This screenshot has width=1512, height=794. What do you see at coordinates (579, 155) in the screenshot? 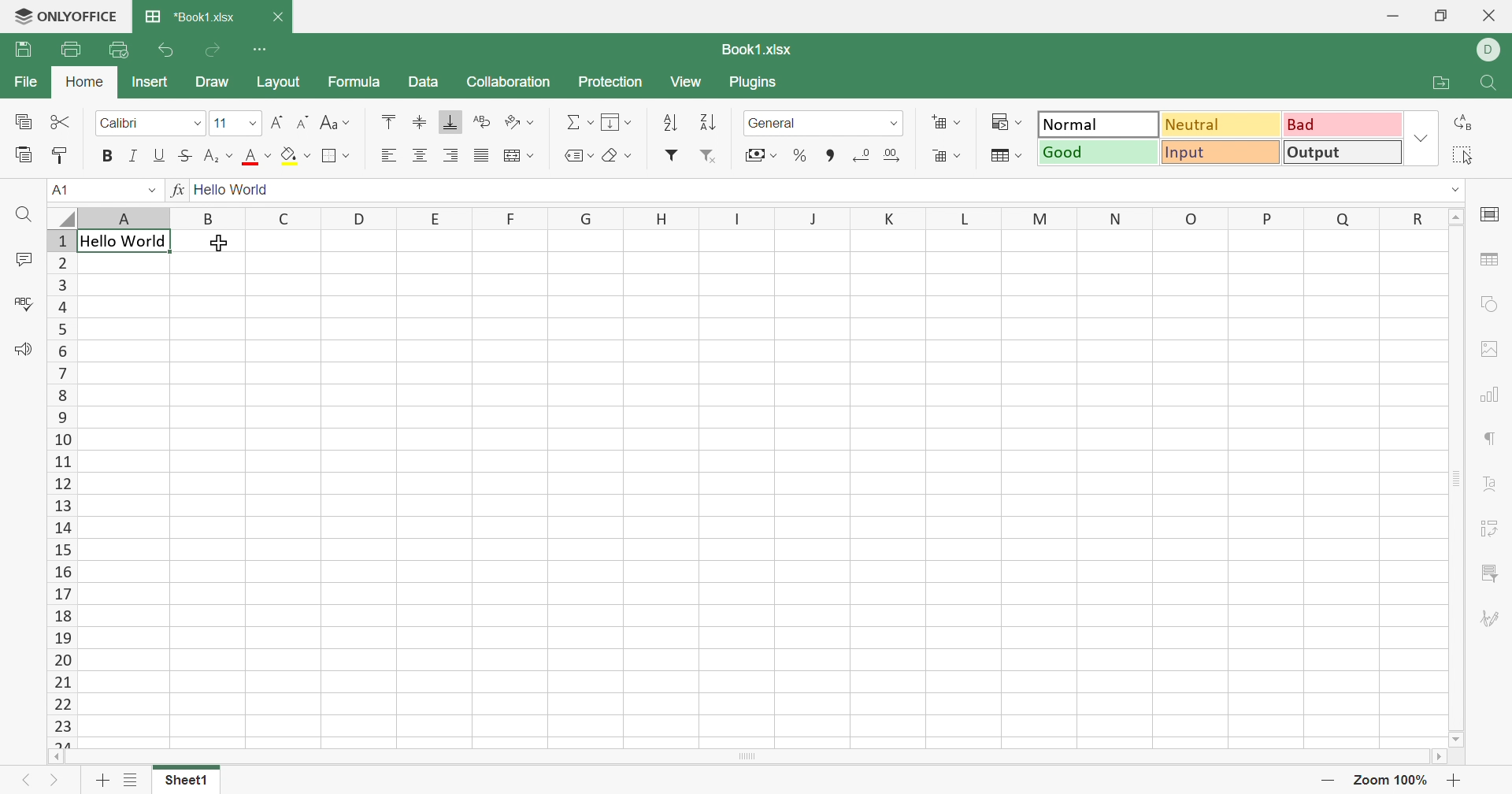
I see `Named ranges` at bounding box center [579, 155].